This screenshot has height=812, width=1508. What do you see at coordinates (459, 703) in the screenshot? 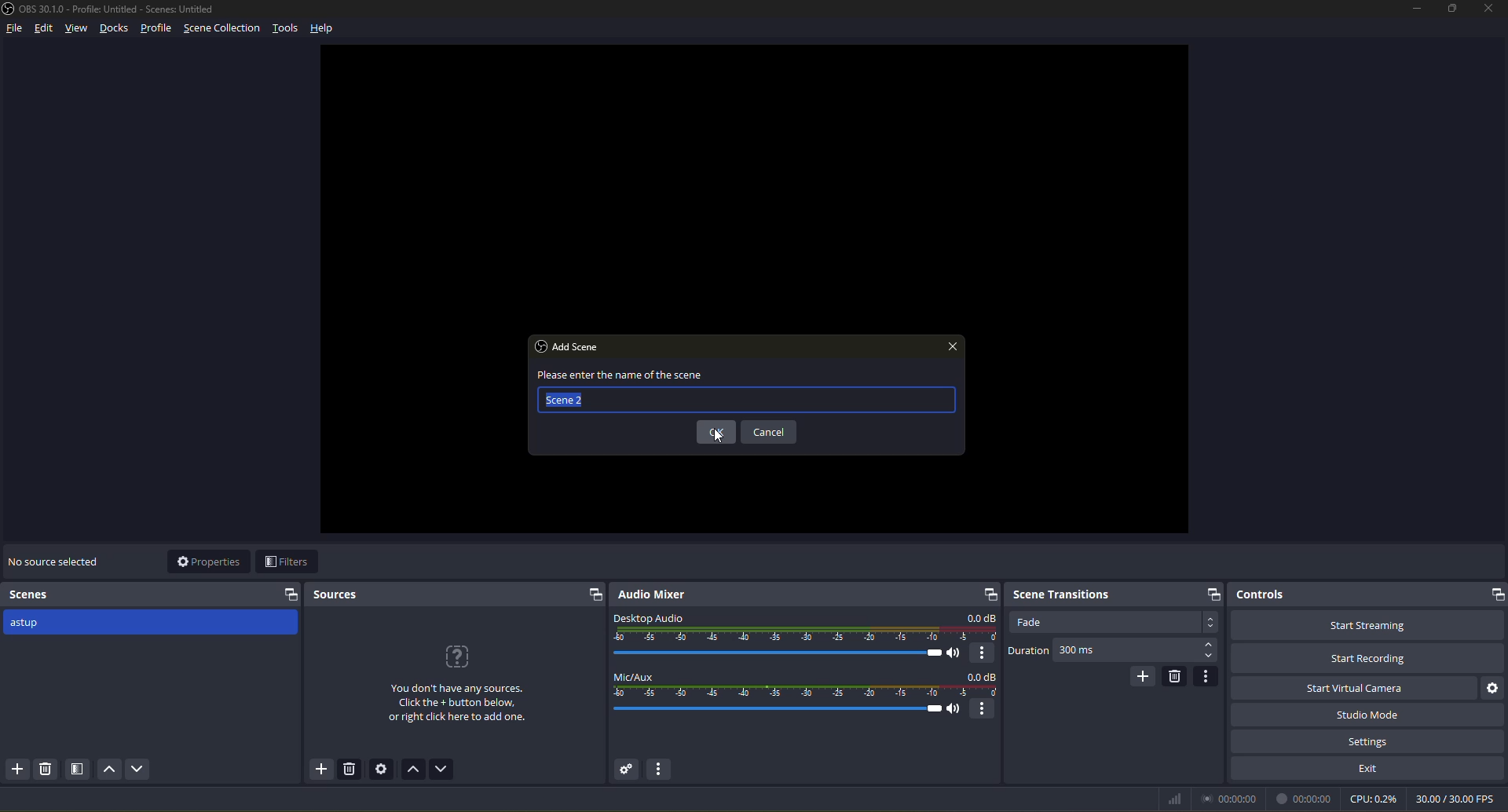
I see `You don't have any sources.Click the + button below,or right click here to add one.` at bounding box center [459, 703].